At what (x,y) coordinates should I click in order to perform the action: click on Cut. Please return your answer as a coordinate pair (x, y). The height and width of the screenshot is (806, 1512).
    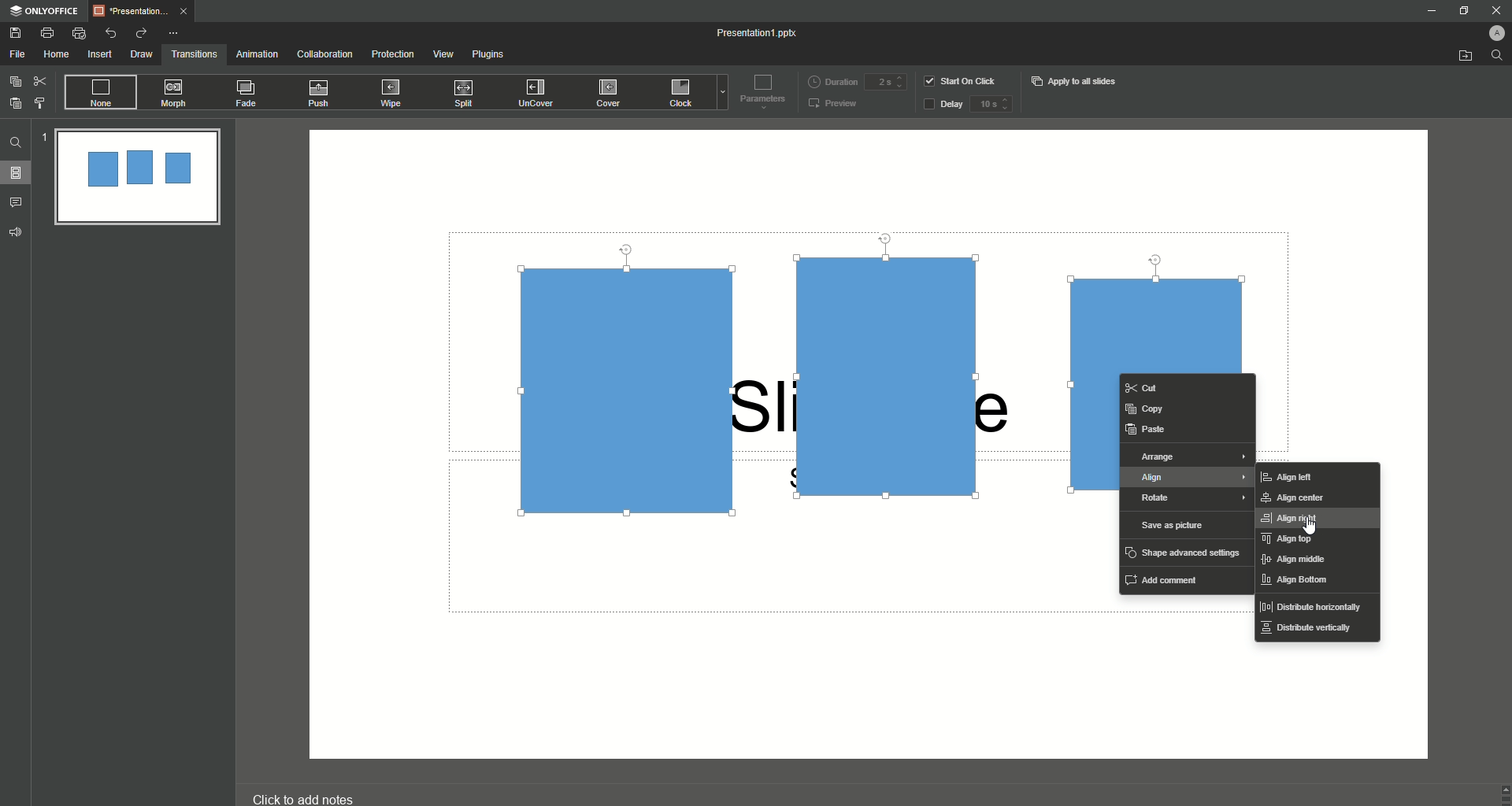
    Looking at the image, I should click on (40, 80).